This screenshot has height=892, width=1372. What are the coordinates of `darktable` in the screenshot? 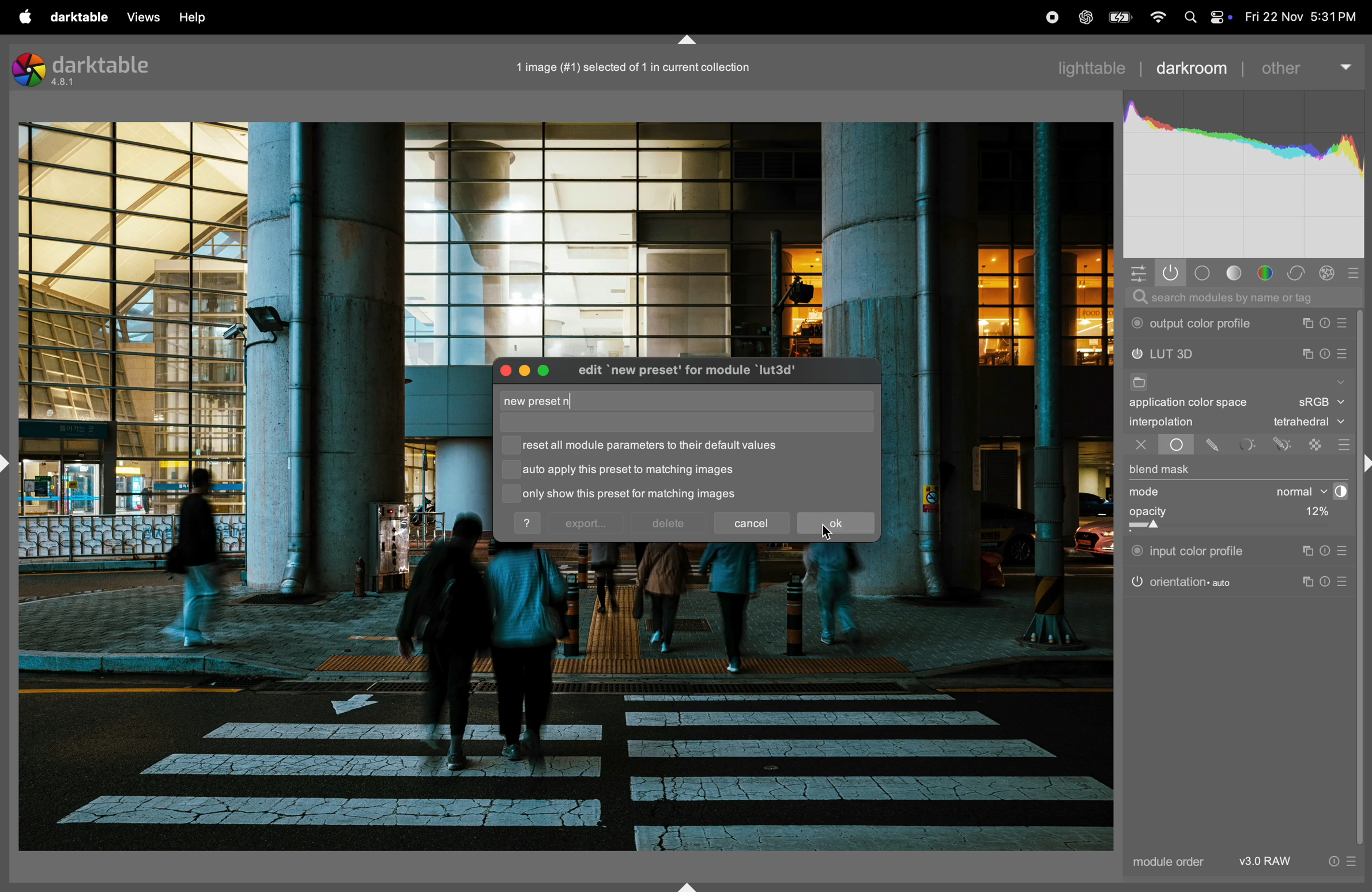 It's located at (75, 16).